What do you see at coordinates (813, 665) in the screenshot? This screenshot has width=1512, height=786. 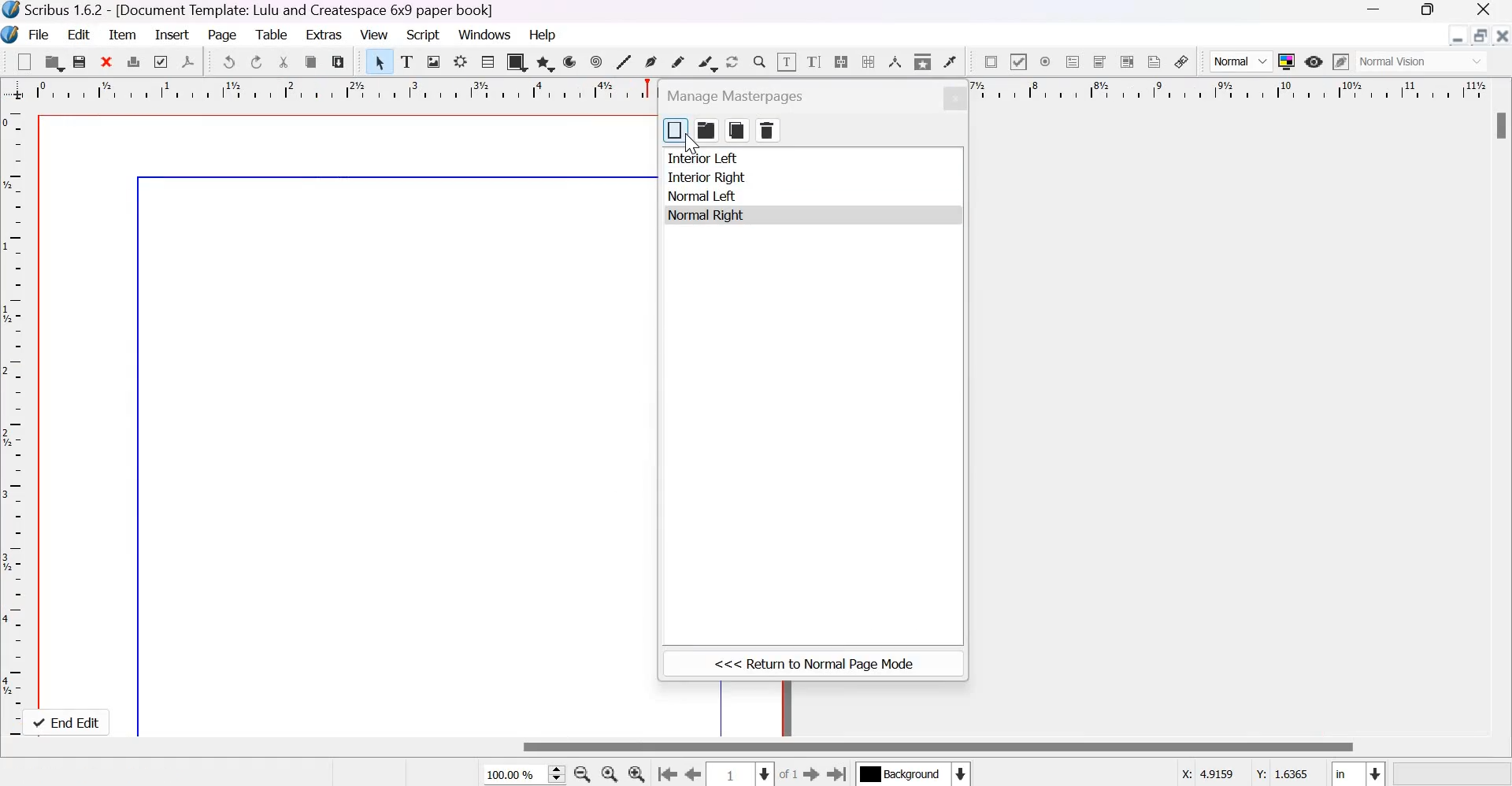 I see `return to normal page mode` at bounding box center [813, 665].